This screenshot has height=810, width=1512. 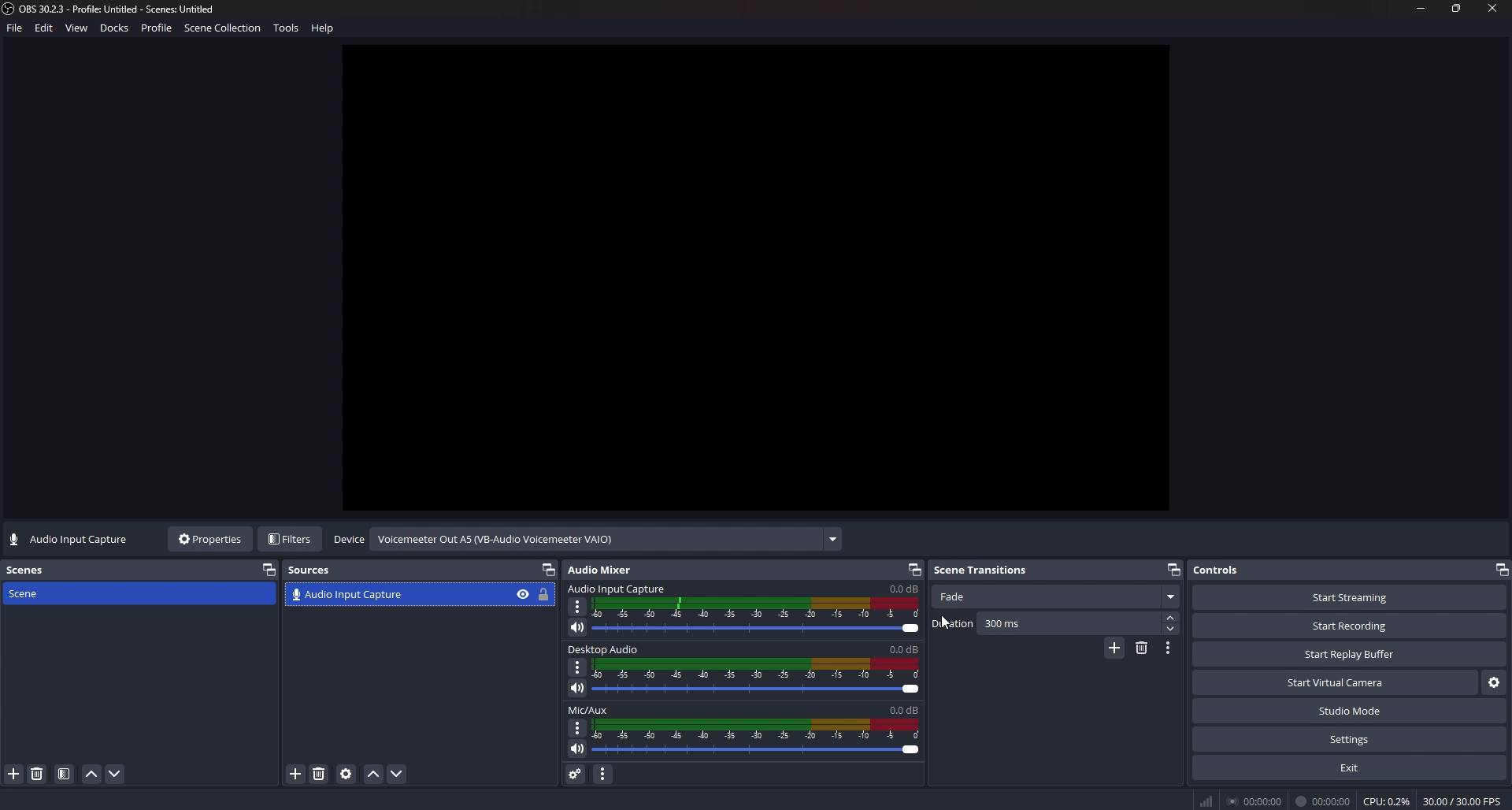 What do you see at coordinates (37, 774) in the screenshot?
I see `remove scene` at bounding box center [37, 774].